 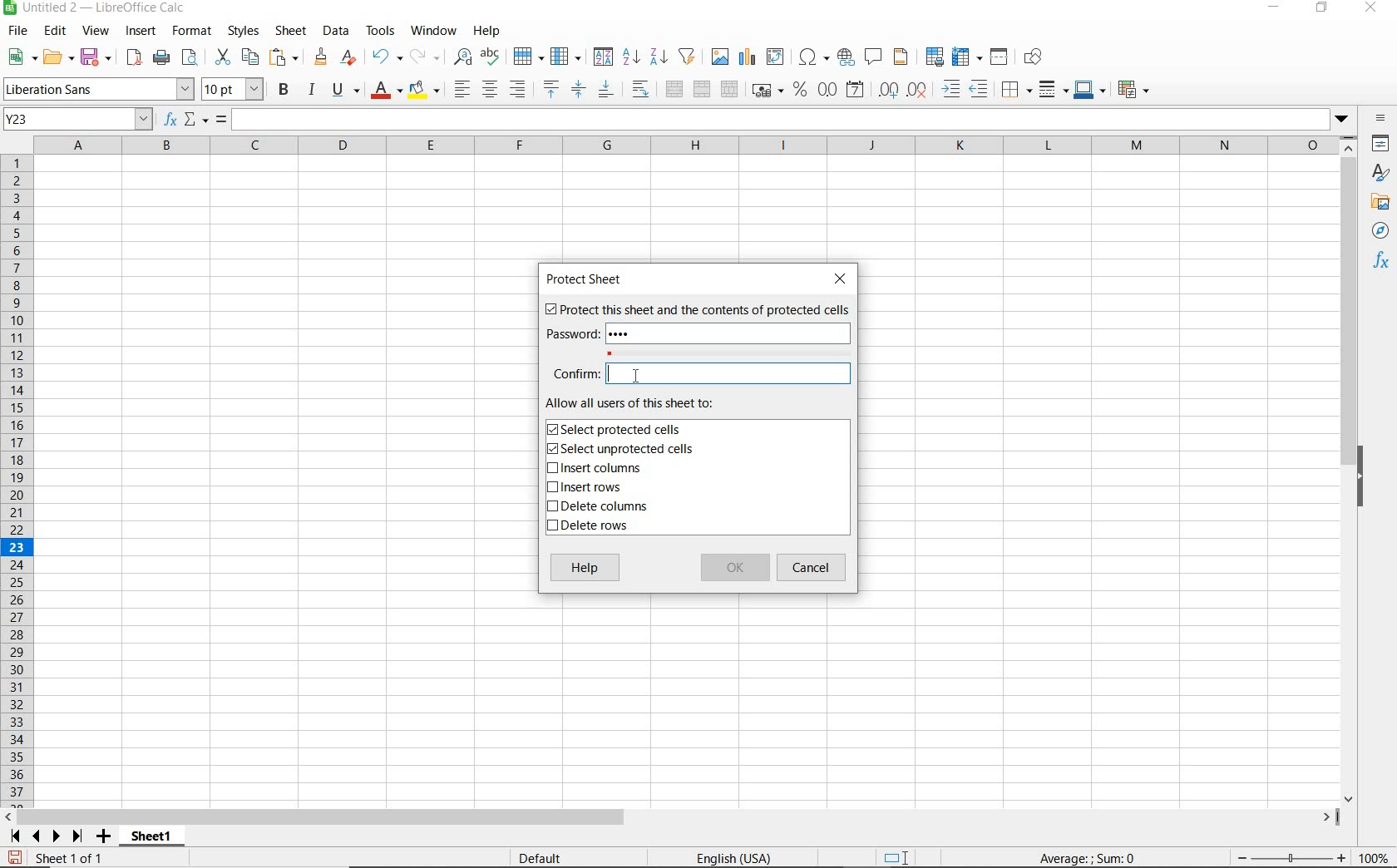 I want to click on SIDEBAR SETTINGS, so click(x=1380, y=118).